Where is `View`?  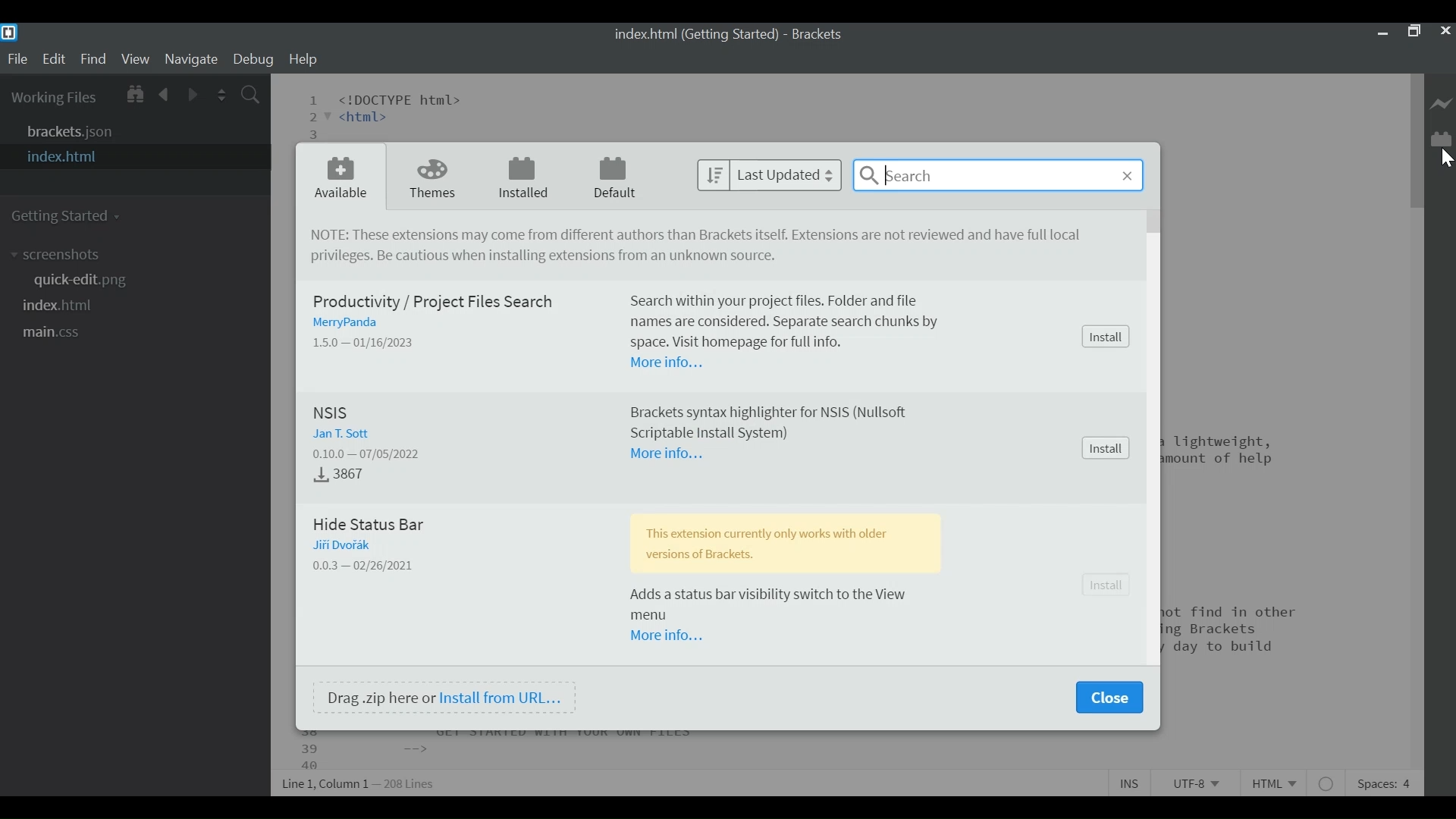 View is located at coordinates (135, 60).